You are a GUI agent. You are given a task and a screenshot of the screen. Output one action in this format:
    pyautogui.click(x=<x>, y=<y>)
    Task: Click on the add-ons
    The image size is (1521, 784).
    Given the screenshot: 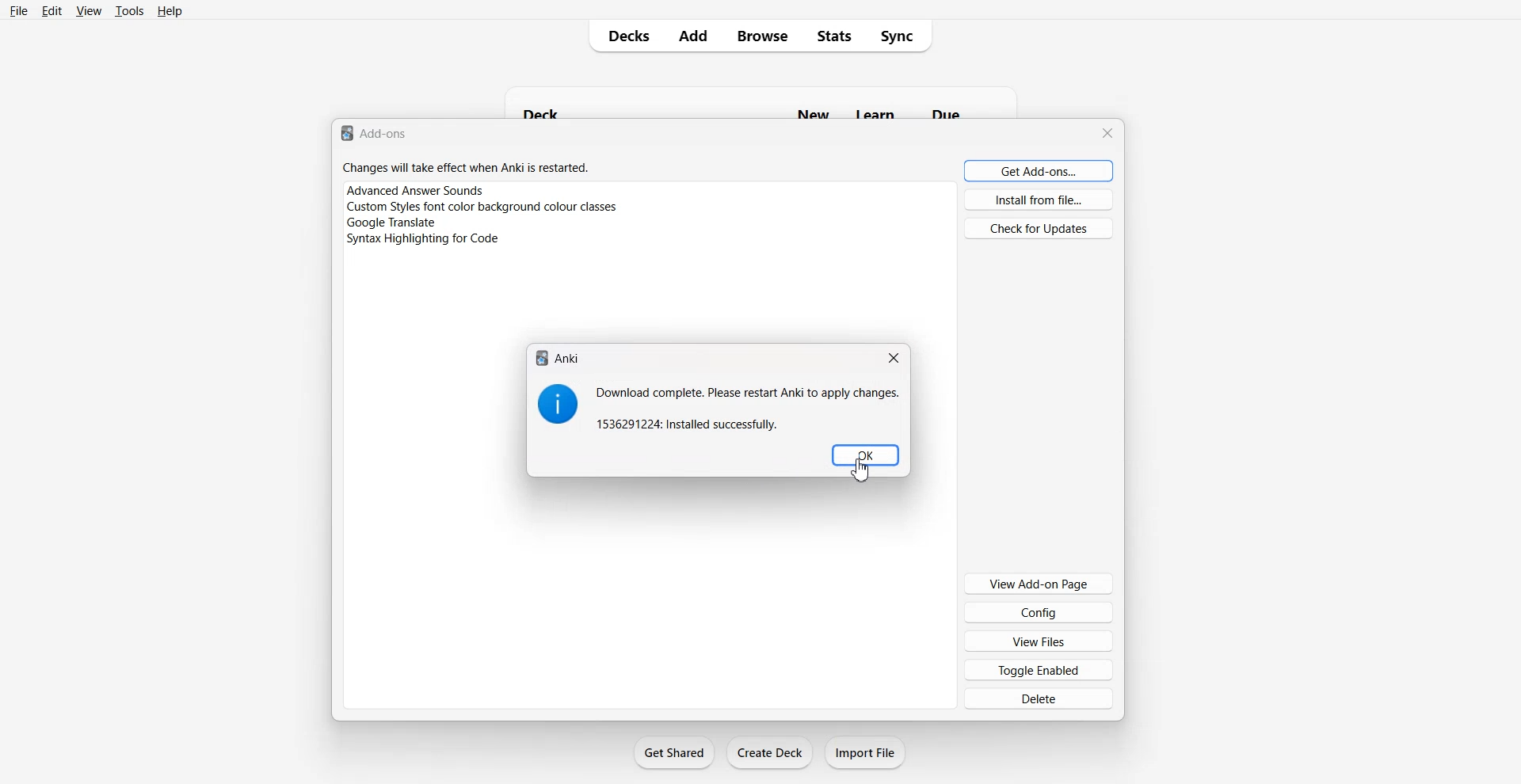 What is the action you would take?
    pyautogui.click(x=388, y=135)
    